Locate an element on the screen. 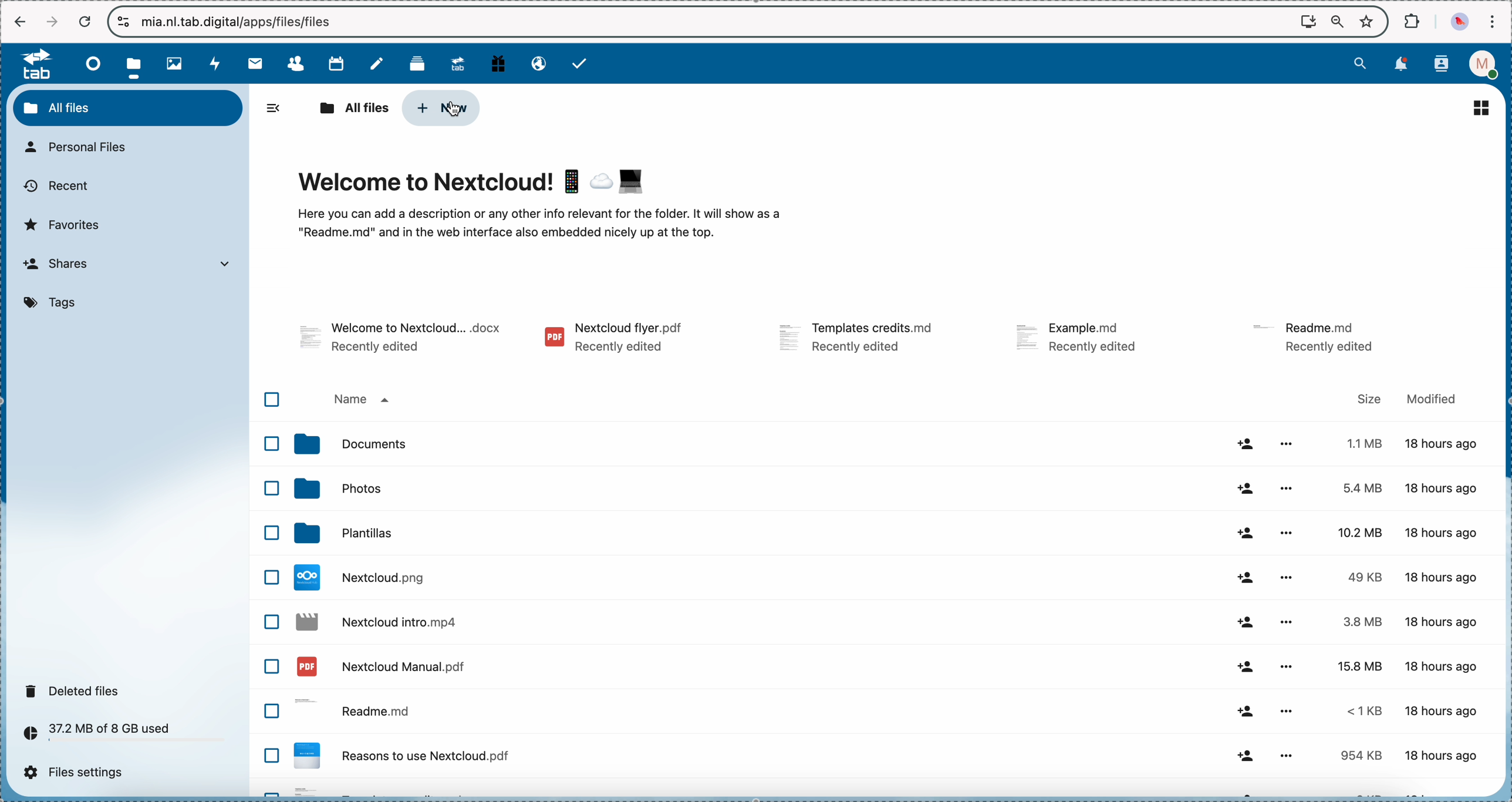 This screenshot has width=1512, height=802. customize and control Google Chrome is located at coordinates (1491, 21).